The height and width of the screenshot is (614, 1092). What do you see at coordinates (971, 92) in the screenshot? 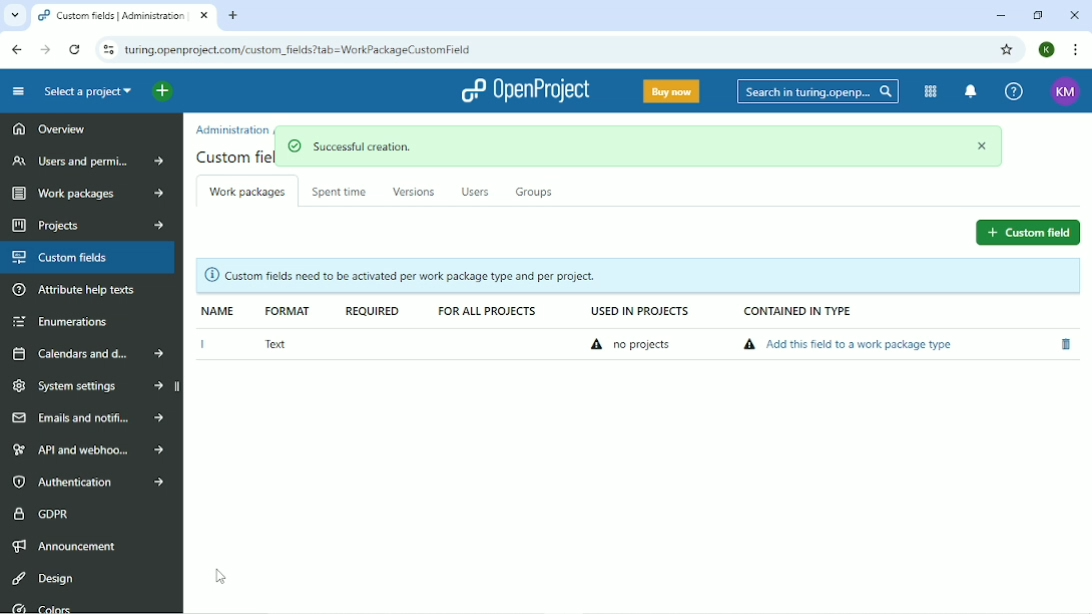
I see `To notification center` at bounding box center [971, 92].